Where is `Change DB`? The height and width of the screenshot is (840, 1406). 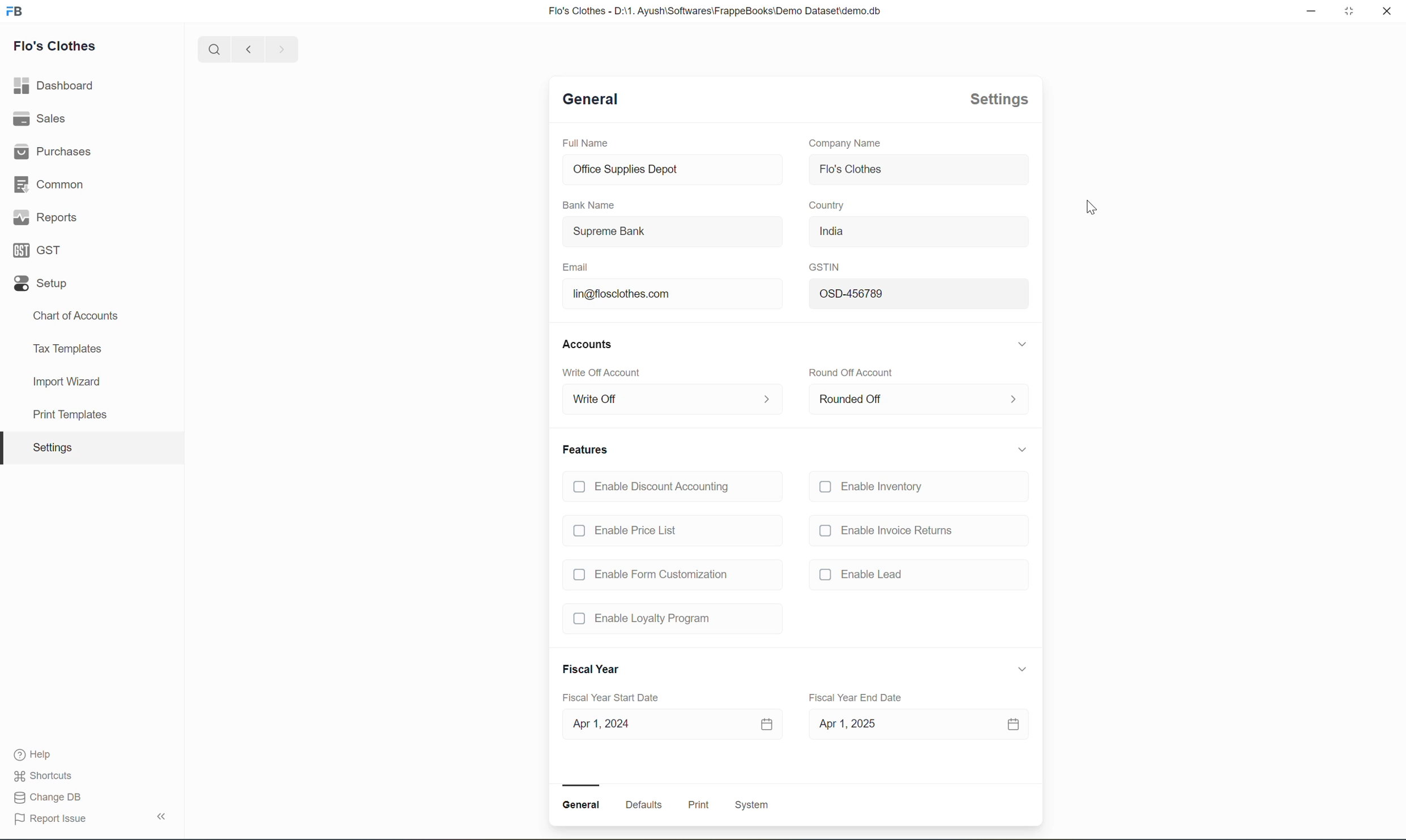
Change DB is located at coordinates (48, 797).